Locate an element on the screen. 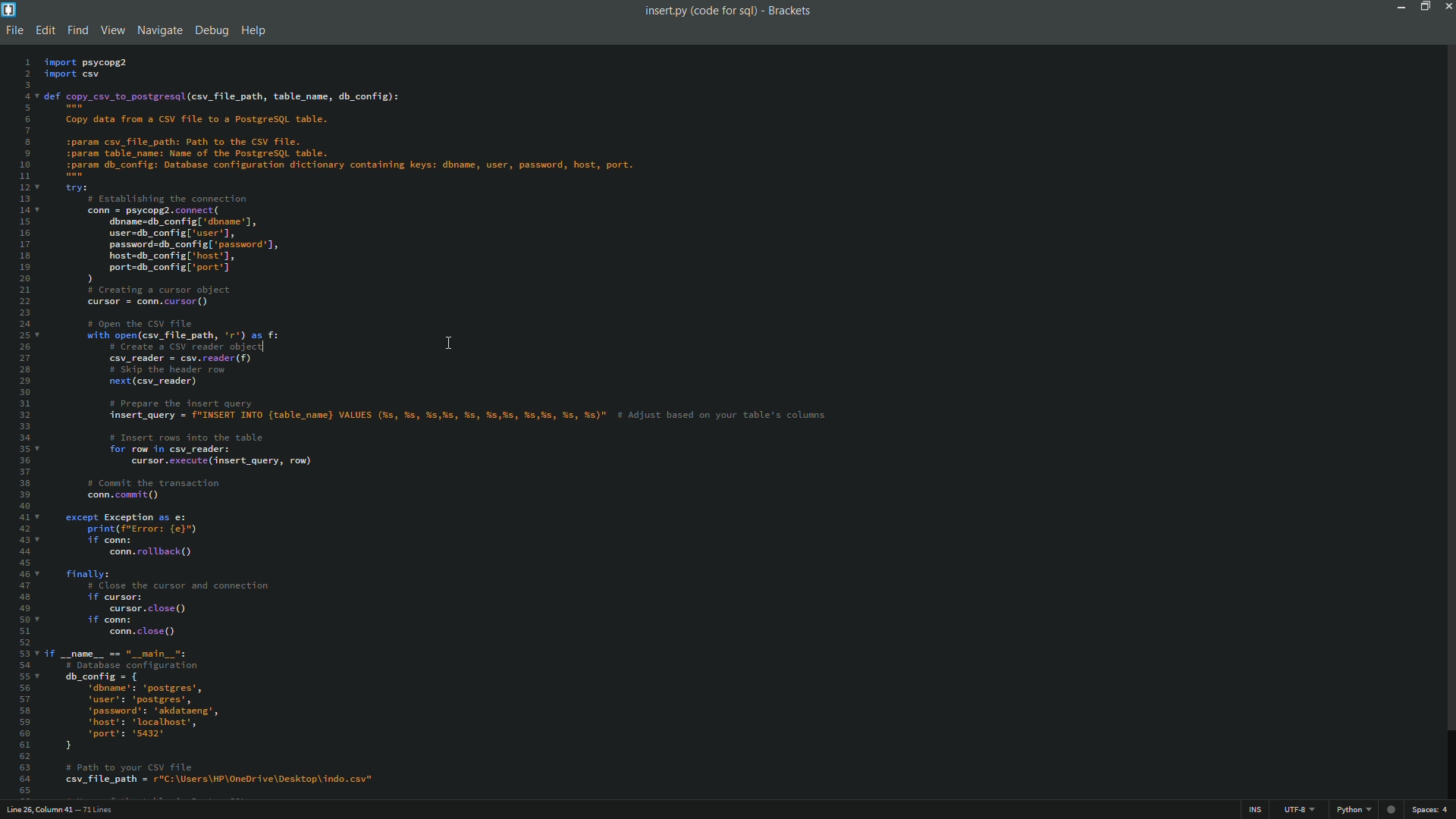 This screenshot has height=819, width=1456. folder name is located at coordinates (724, 11).